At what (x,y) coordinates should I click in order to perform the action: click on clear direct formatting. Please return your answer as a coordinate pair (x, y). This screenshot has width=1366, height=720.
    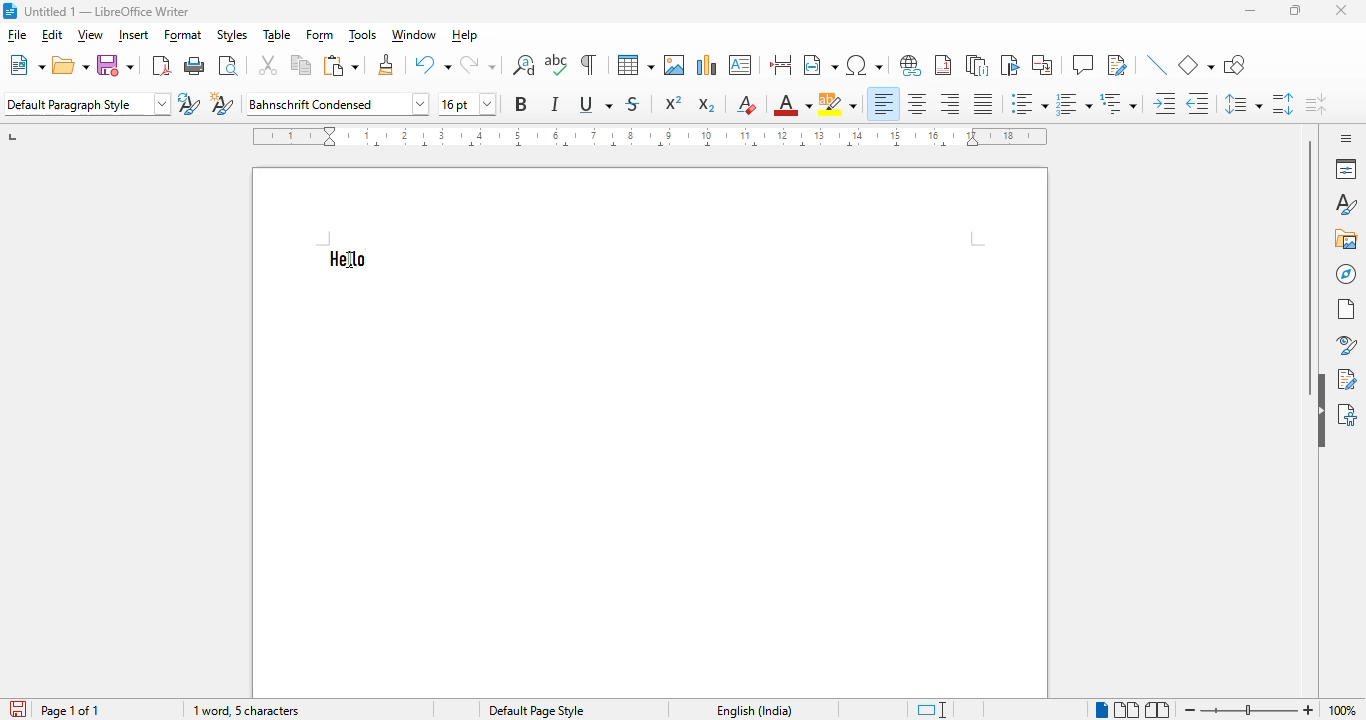
    Looking at the image, I should click on (748, 104).